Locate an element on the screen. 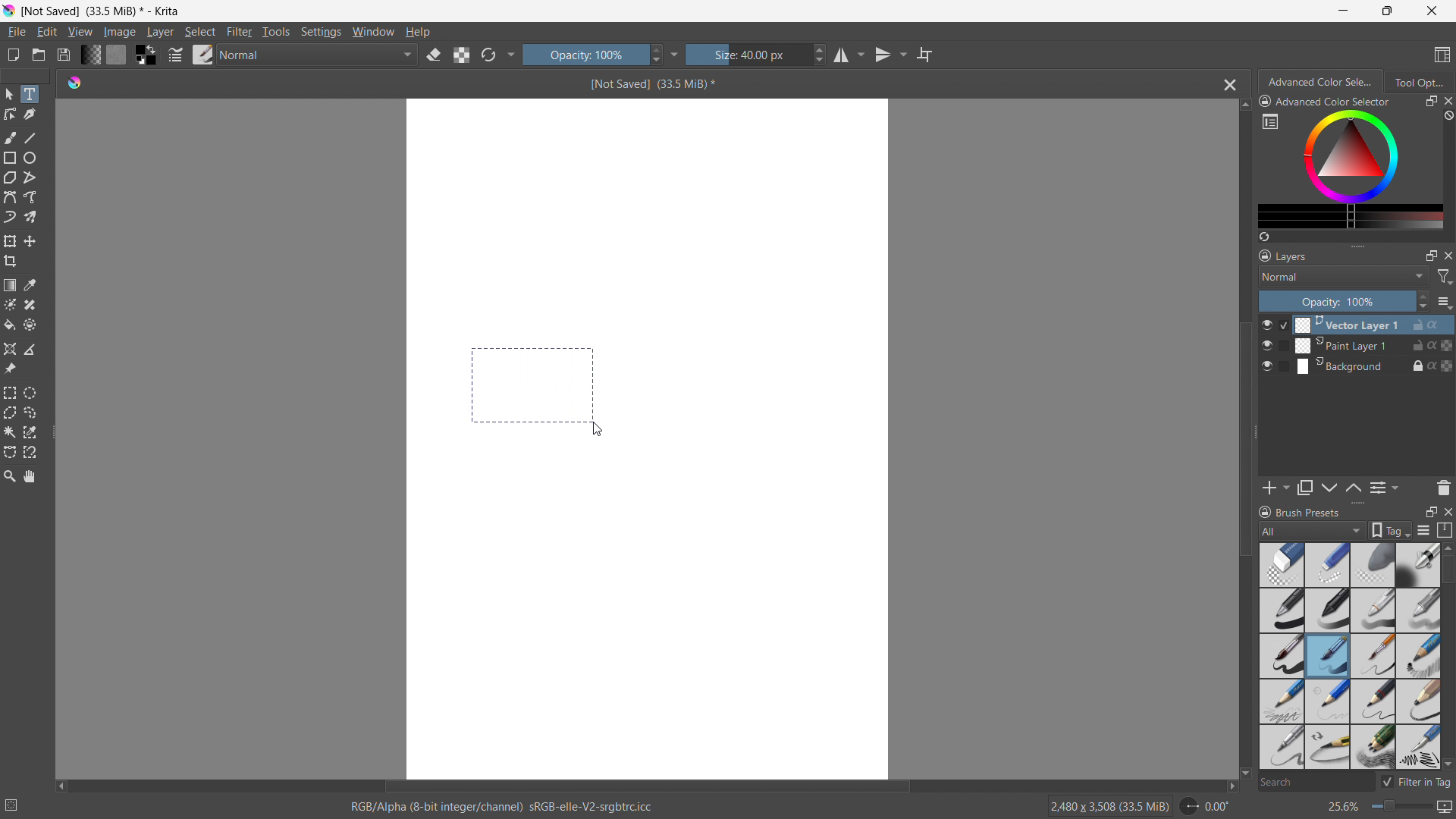 The height and width of the screenshot is (819, 1456). tools is located at coordinates (277, 32).